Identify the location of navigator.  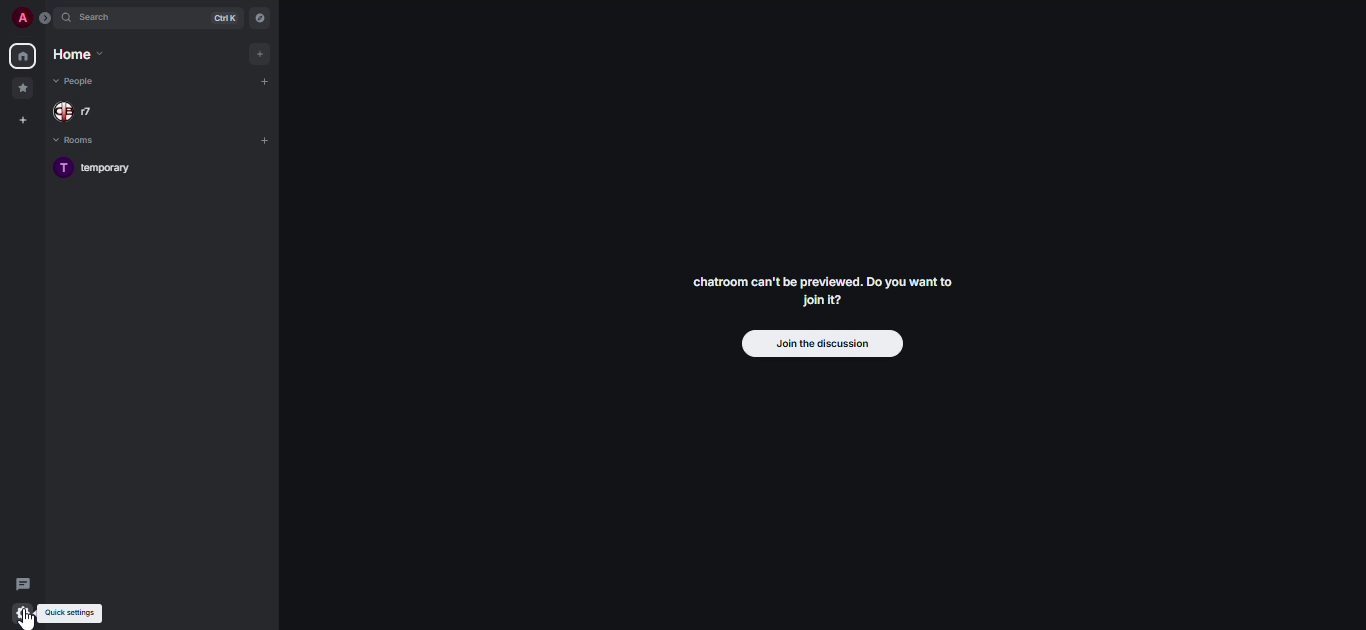
(263, 18).